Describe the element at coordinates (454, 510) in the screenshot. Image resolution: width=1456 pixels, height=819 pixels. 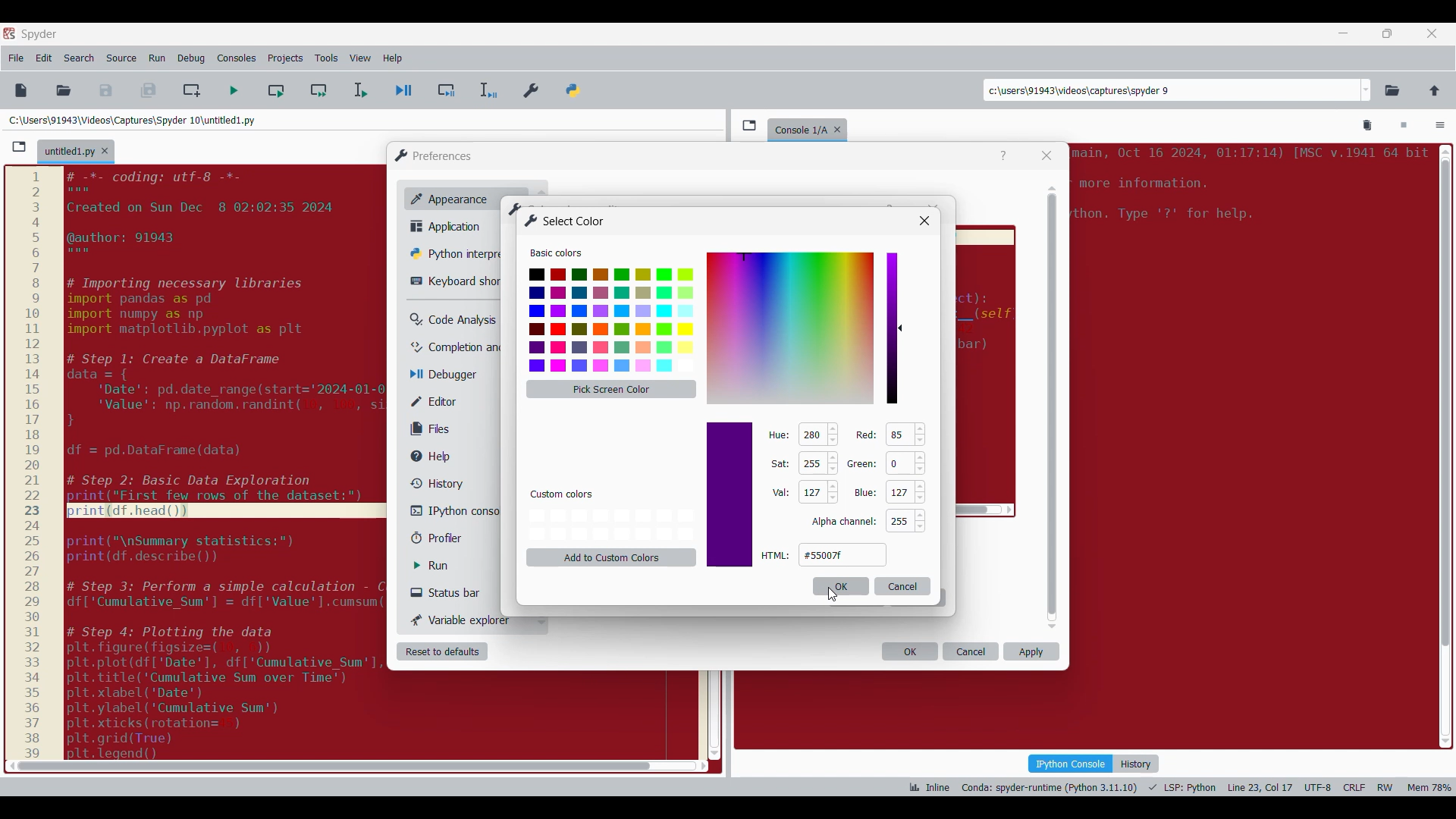
I see `IPython console` at that location.